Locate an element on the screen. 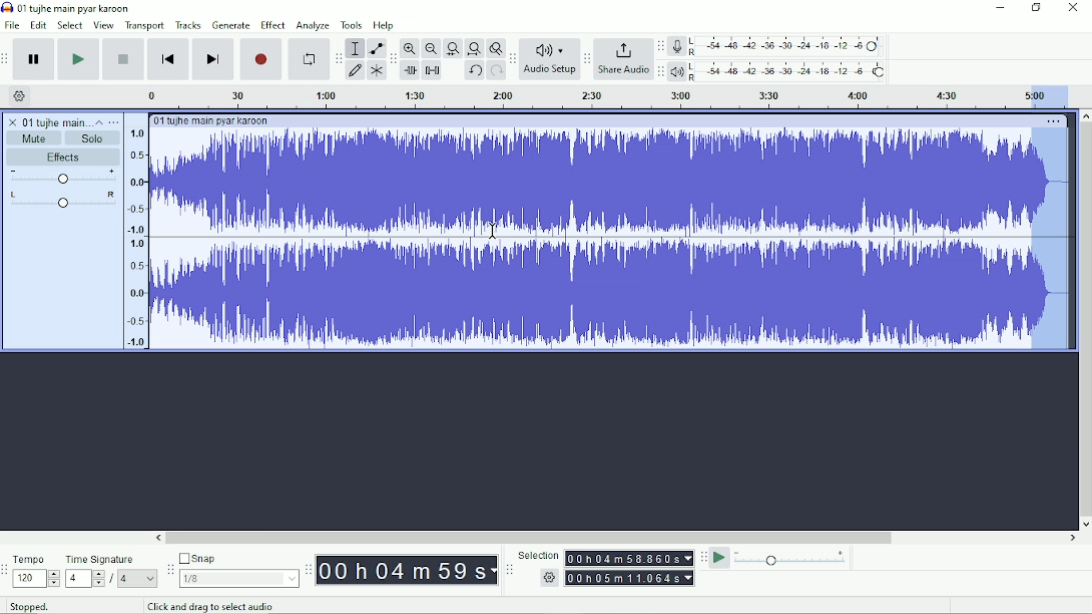 This screenshot has height=614, width=1092. 4 is located at coordinates (84, 580).